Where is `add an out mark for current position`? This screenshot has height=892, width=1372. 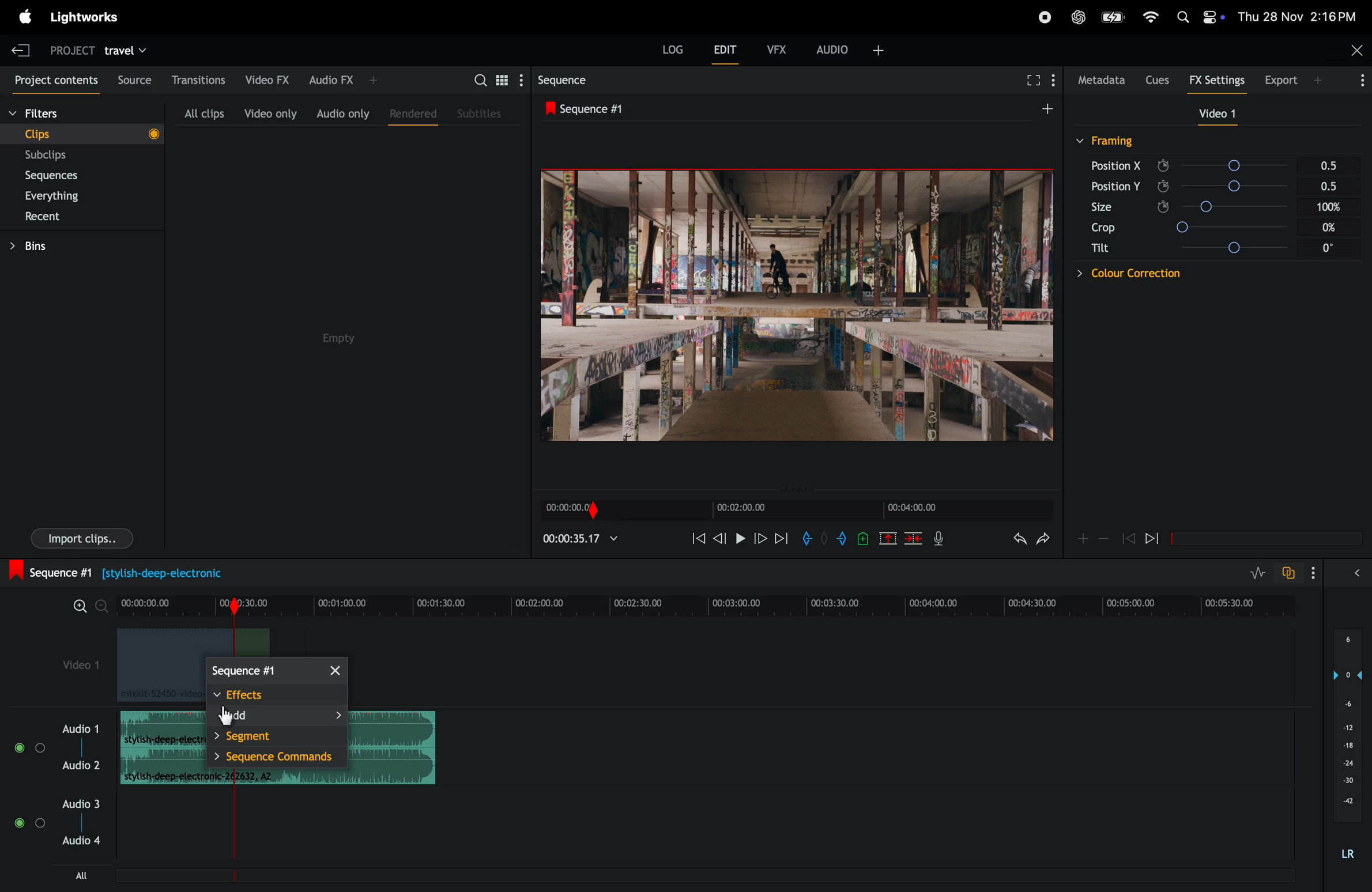
add an out mark for current position is located at coordinates (844, 538).